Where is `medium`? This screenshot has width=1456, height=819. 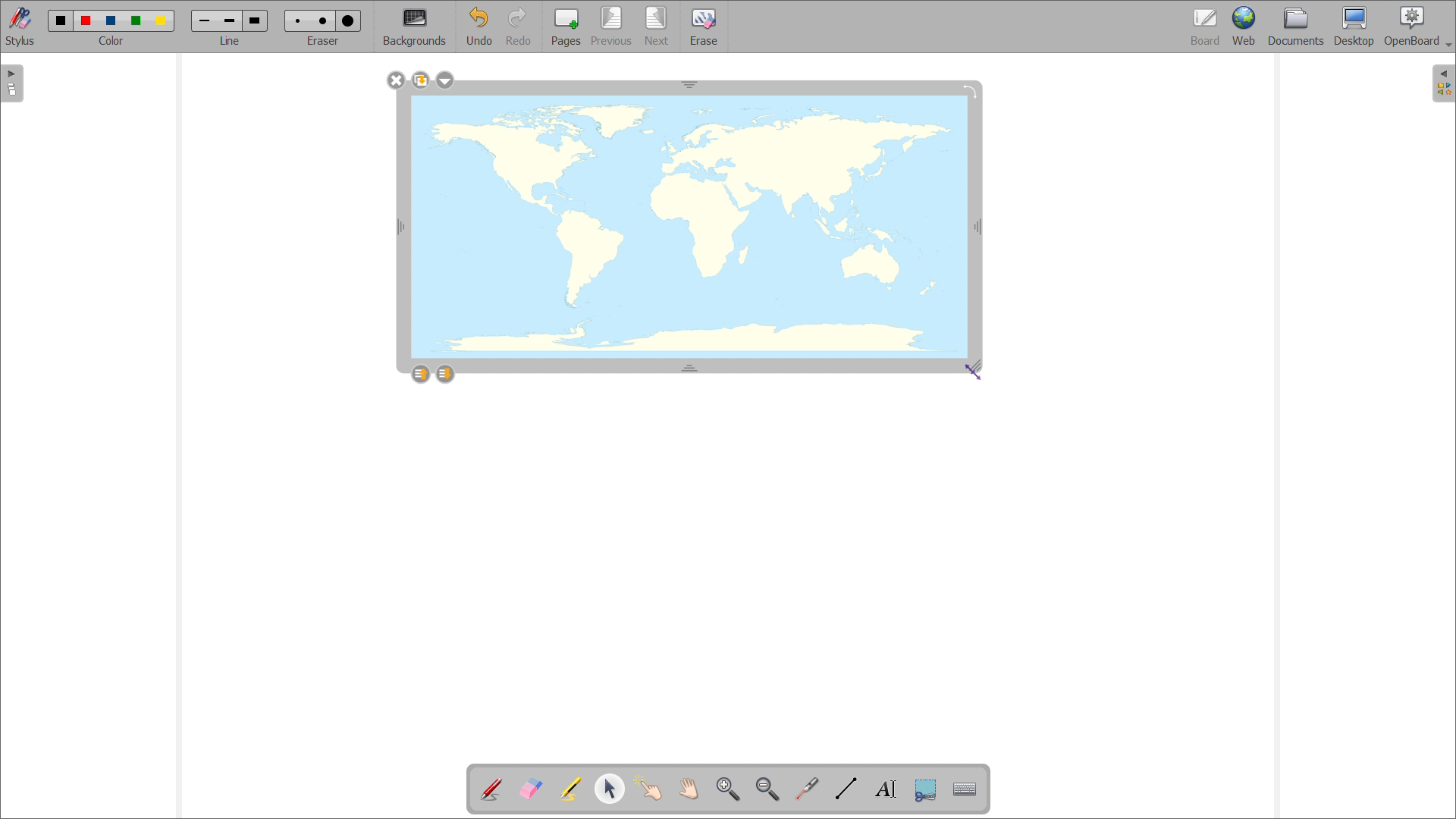 medium is located at coordinates (325, 21).